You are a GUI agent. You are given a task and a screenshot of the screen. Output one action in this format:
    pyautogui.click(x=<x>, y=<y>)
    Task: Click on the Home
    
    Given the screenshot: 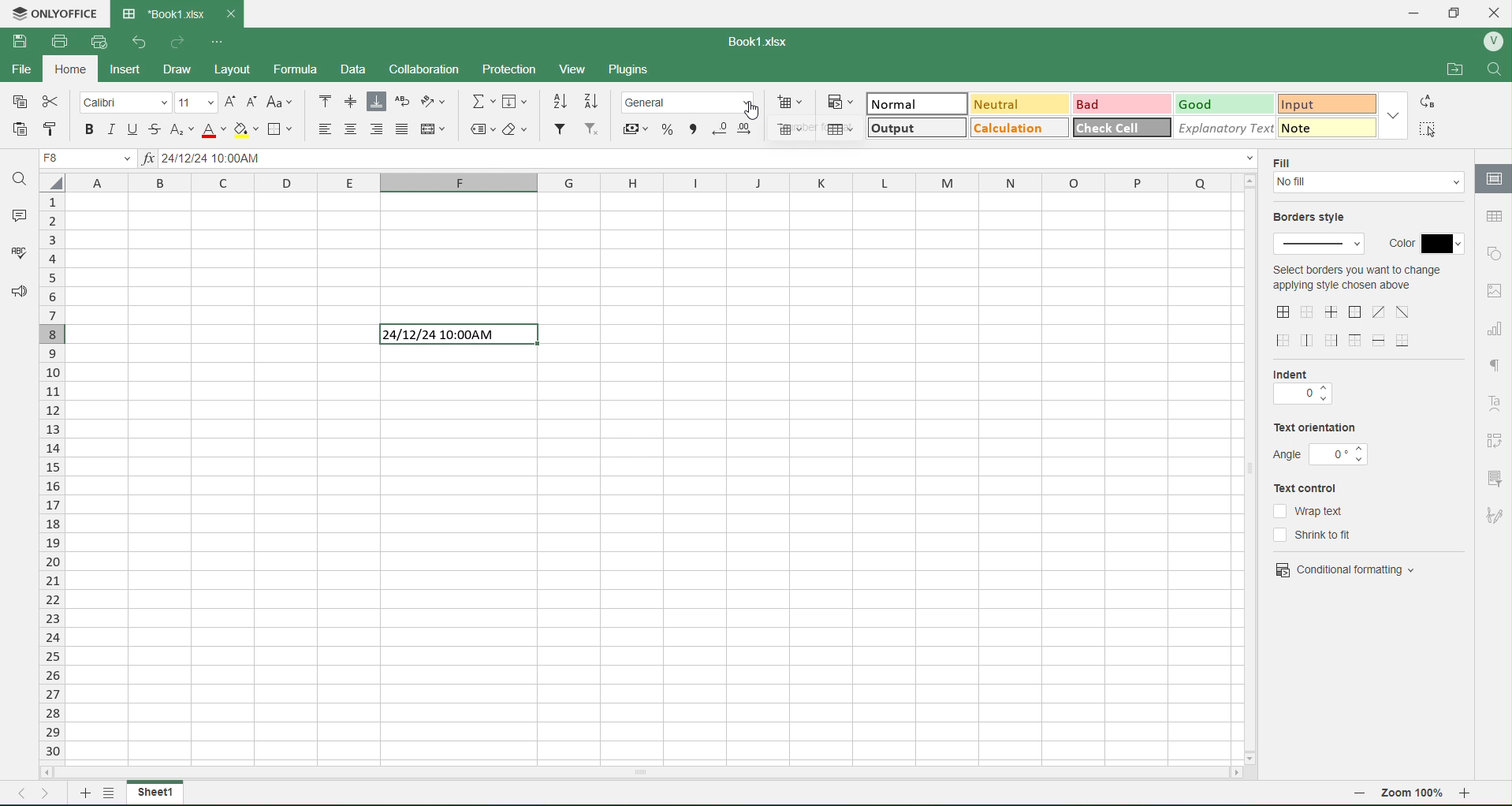 What is the action you would take?
    pyautogui.click(x=76, y=72)
    